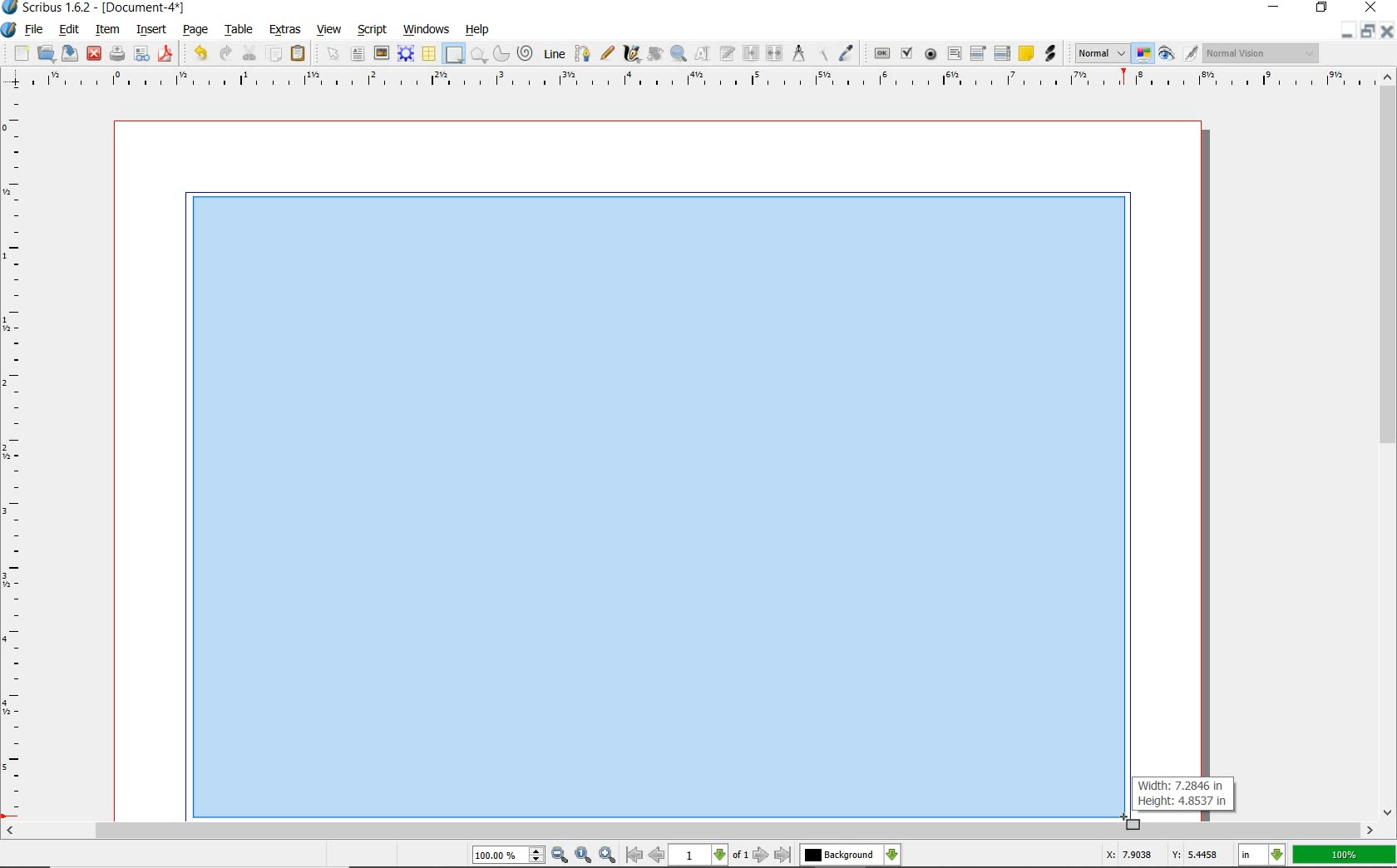 Image resolution: width=1397 pixels, height=868 pixels. I want to click on measurements, so click(798, 54).